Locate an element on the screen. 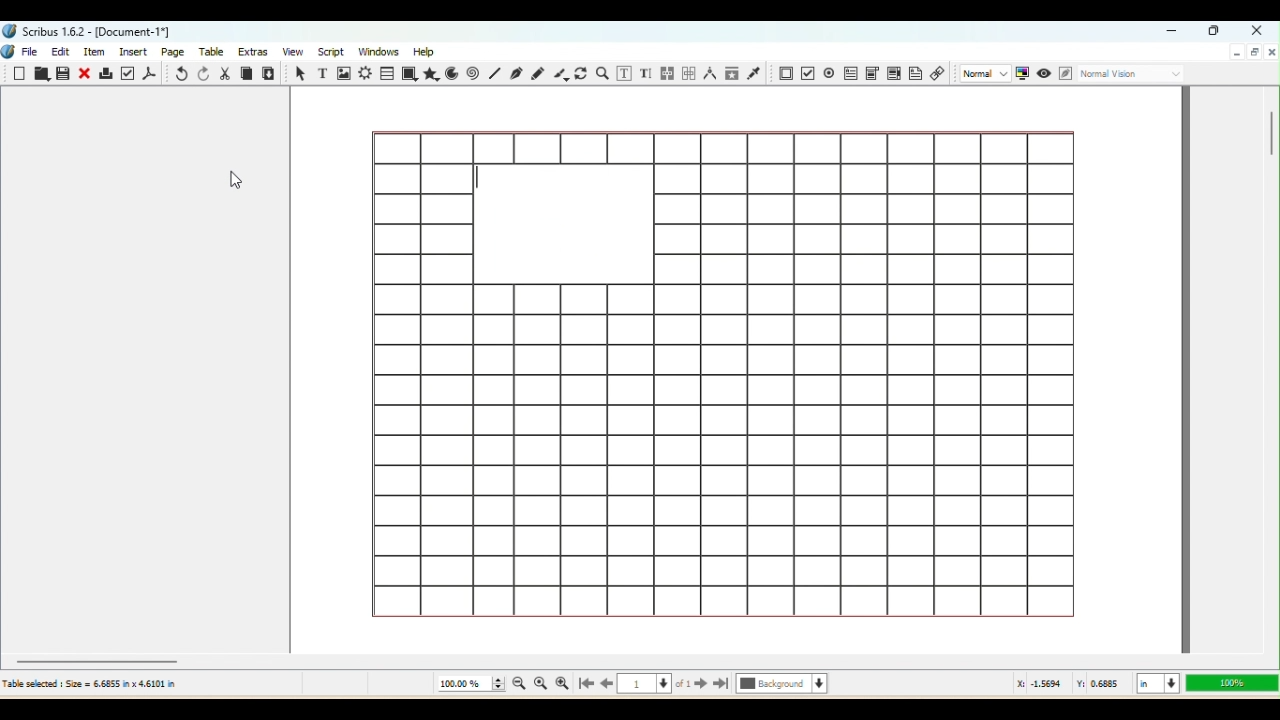 The image size is (1280, 720). Undo is located at coordinates (179, 74).